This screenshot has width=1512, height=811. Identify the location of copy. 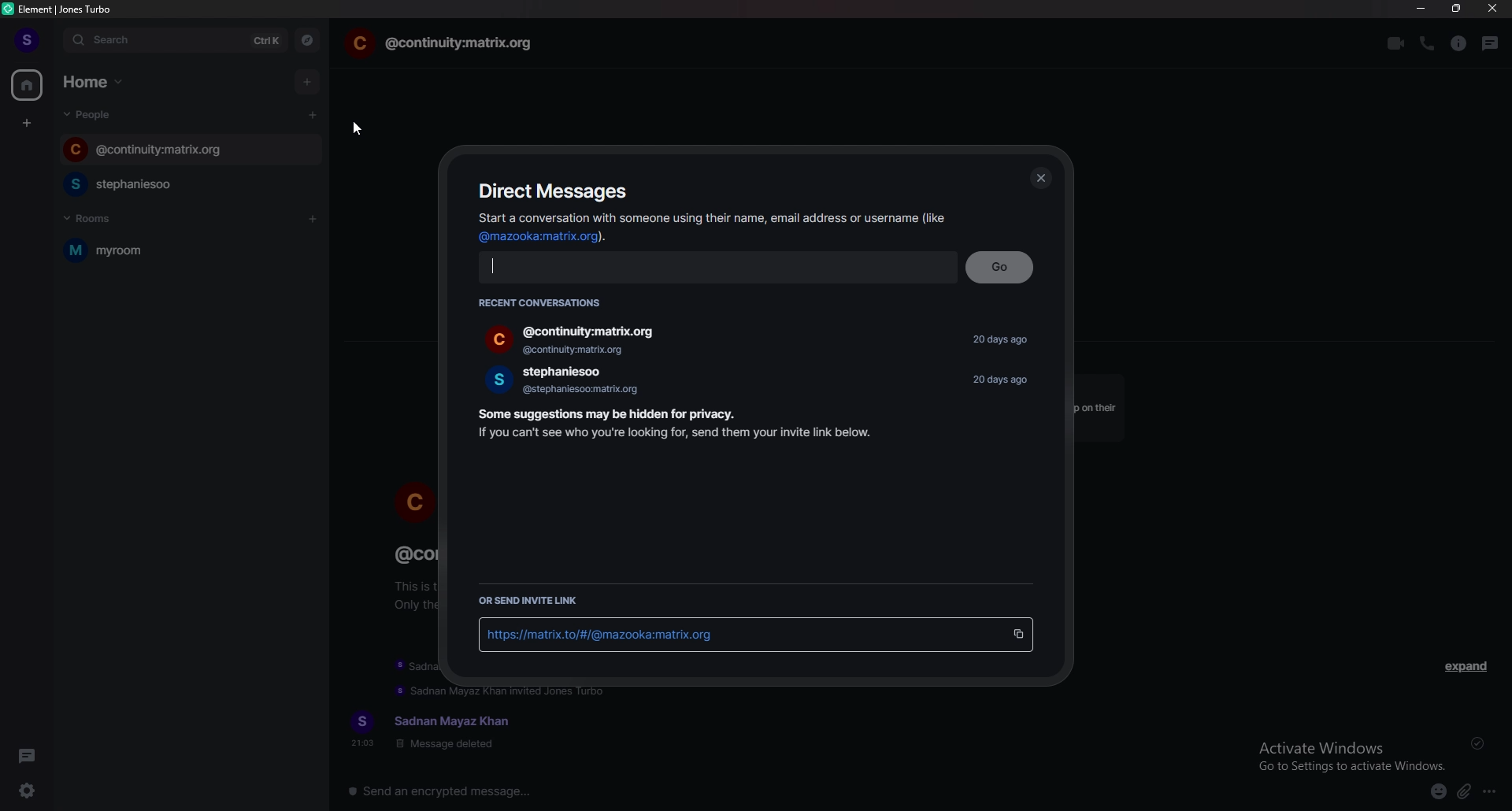
(1018, 634).